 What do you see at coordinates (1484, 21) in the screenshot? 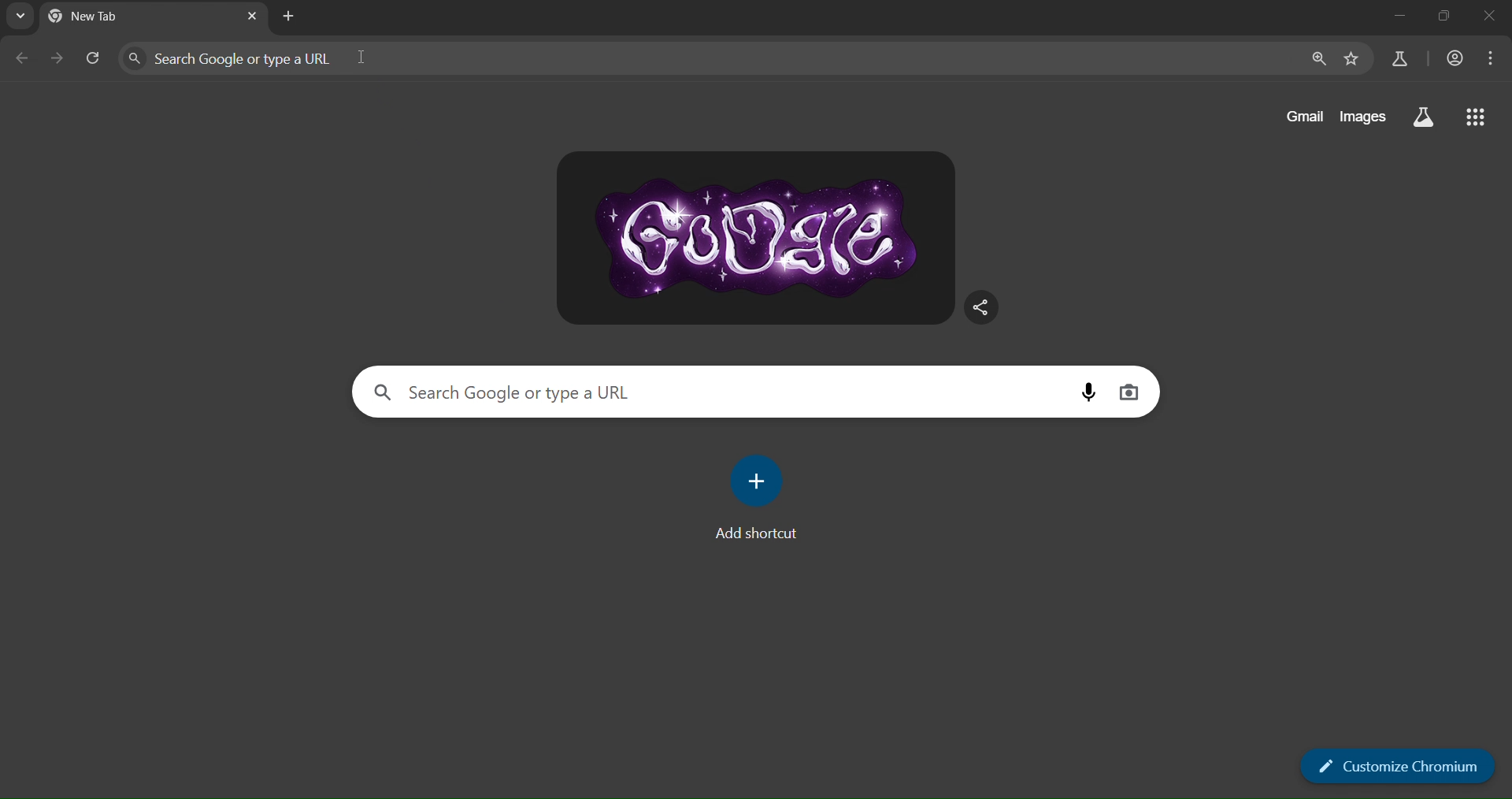
I see `close` at bounding box center [1484, 21].